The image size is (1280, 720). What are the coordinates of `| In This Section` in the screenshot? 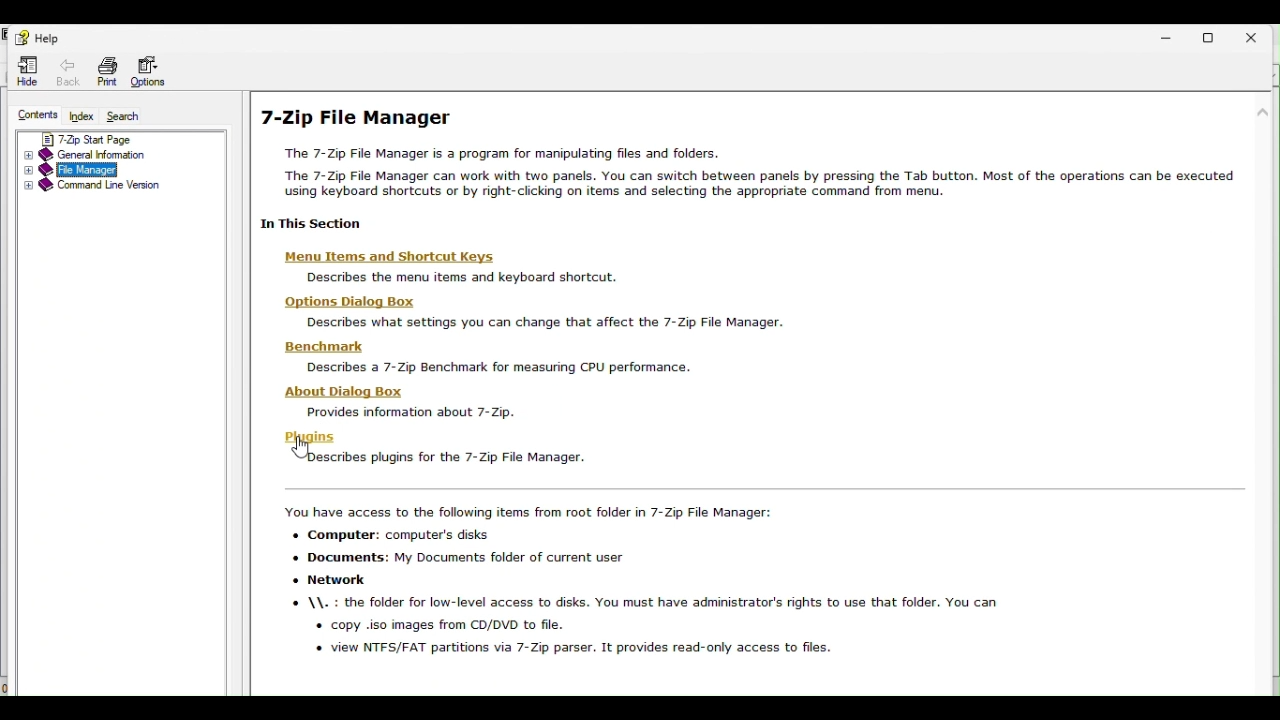 It's located at (307, 223).